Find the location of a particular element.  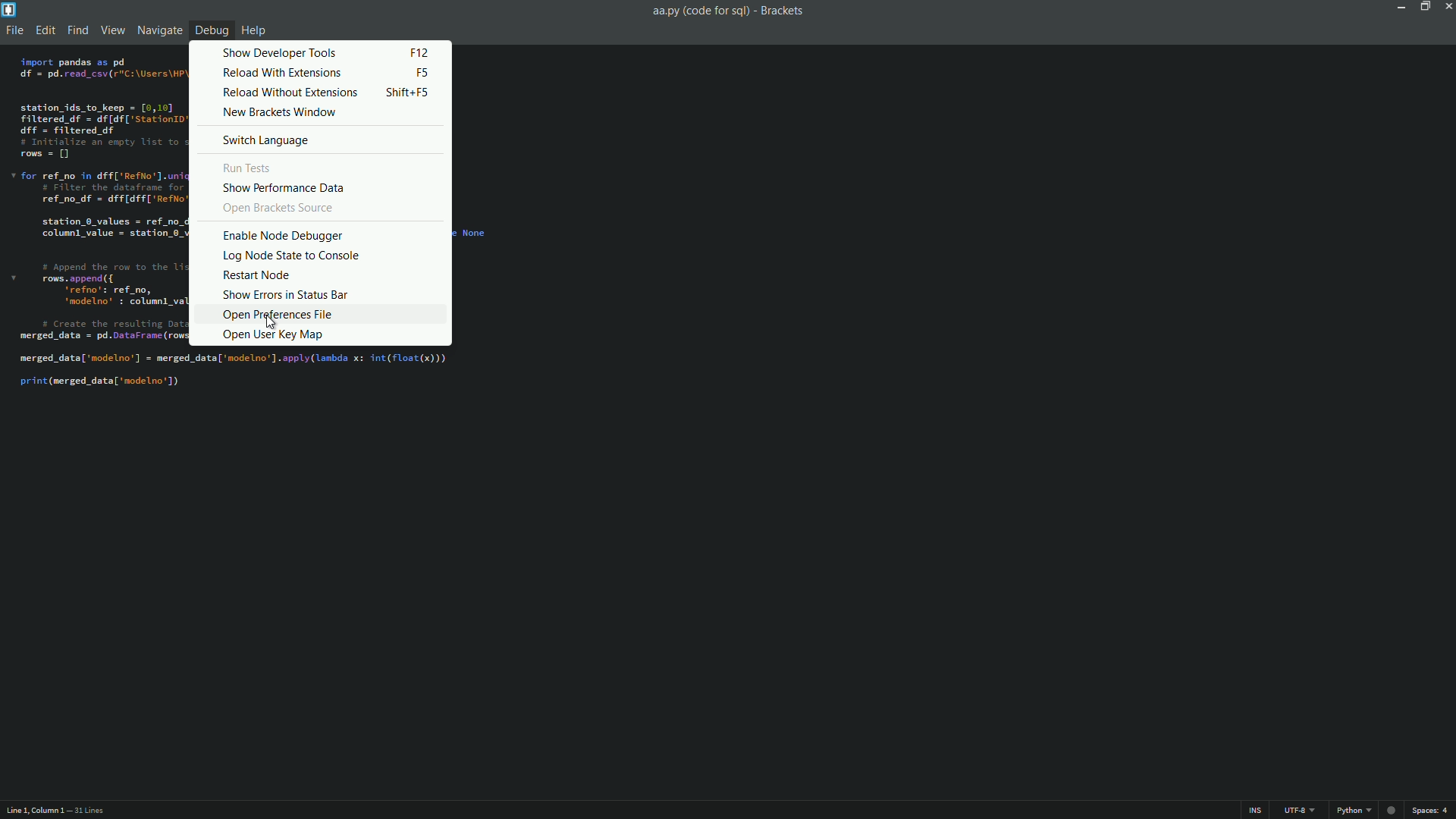

navigate menu is located at coordinates (158, 30).